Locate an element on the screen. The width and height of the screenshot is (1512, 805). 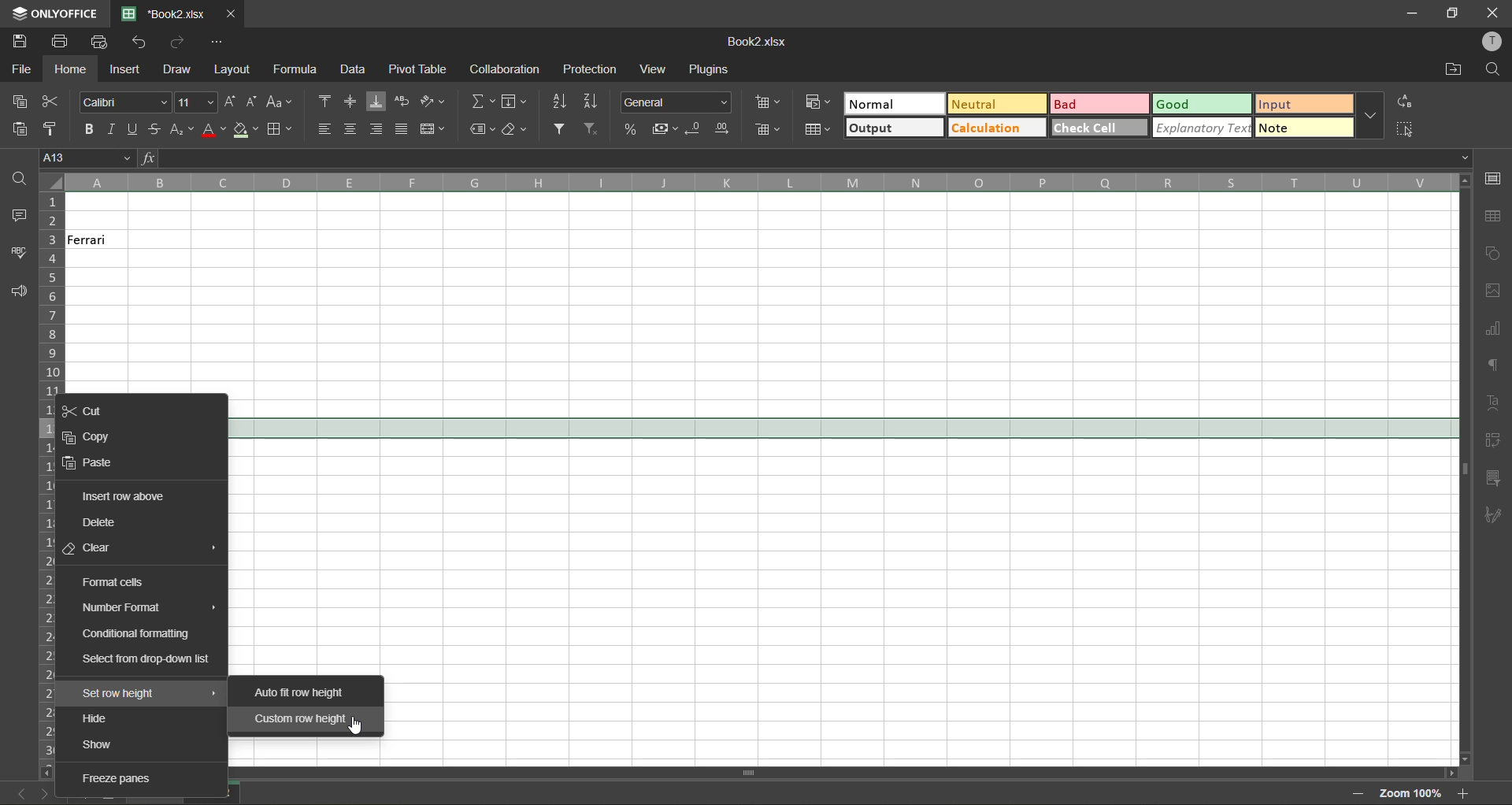
paste is located at coordinates (20, 128).